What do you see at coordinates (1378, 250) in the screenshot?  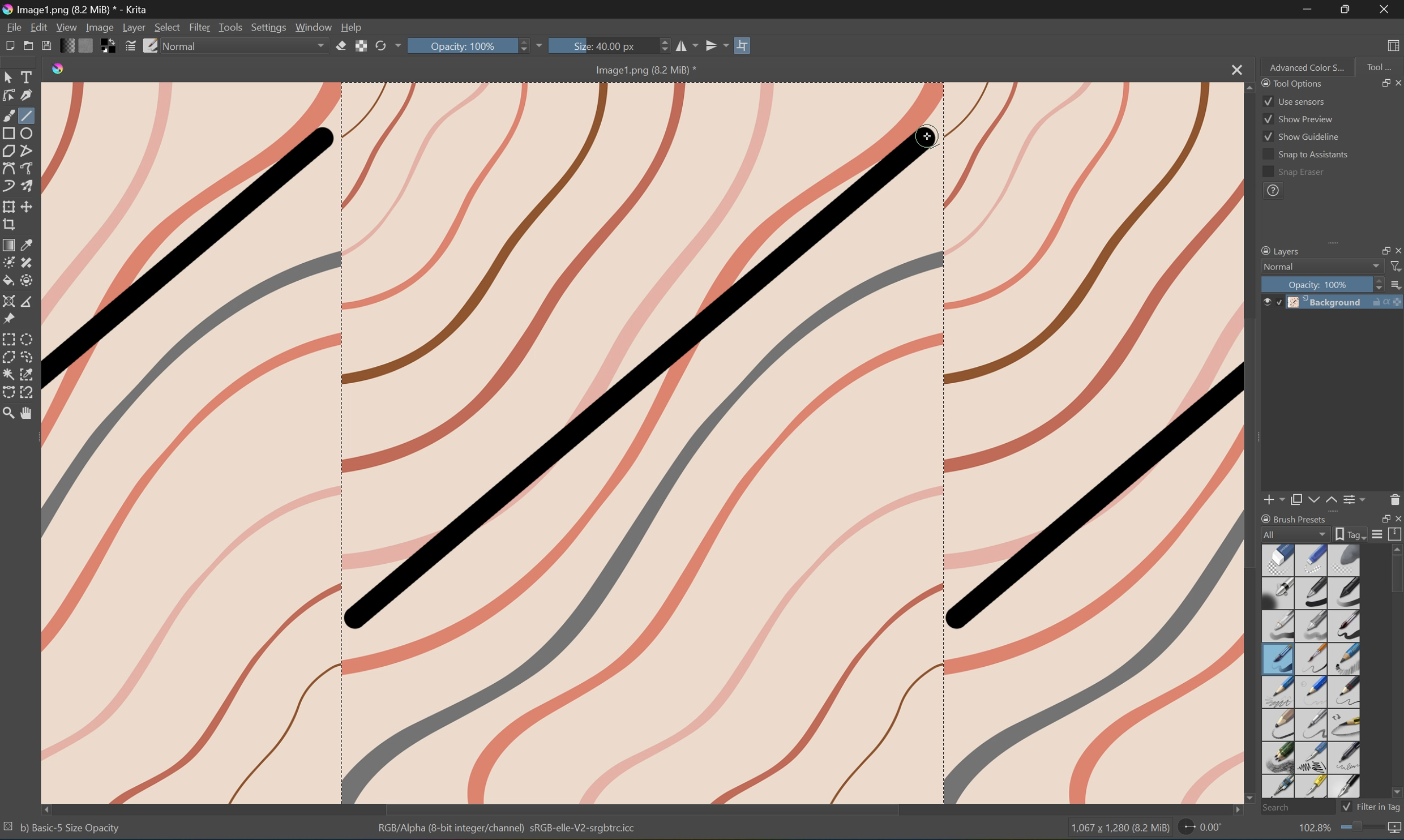 I see `Restore Down` at bounding box center [1378, 250].